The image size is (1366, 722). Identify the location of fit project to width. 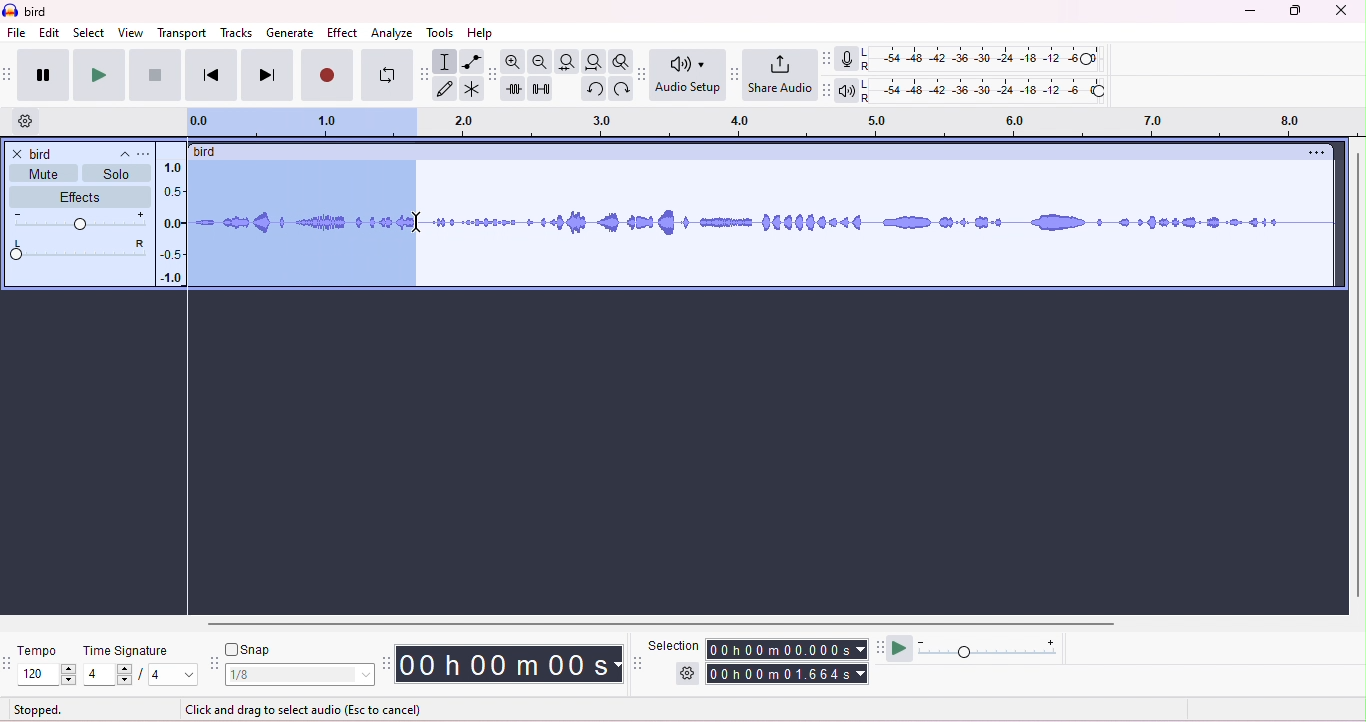
(593, 63).